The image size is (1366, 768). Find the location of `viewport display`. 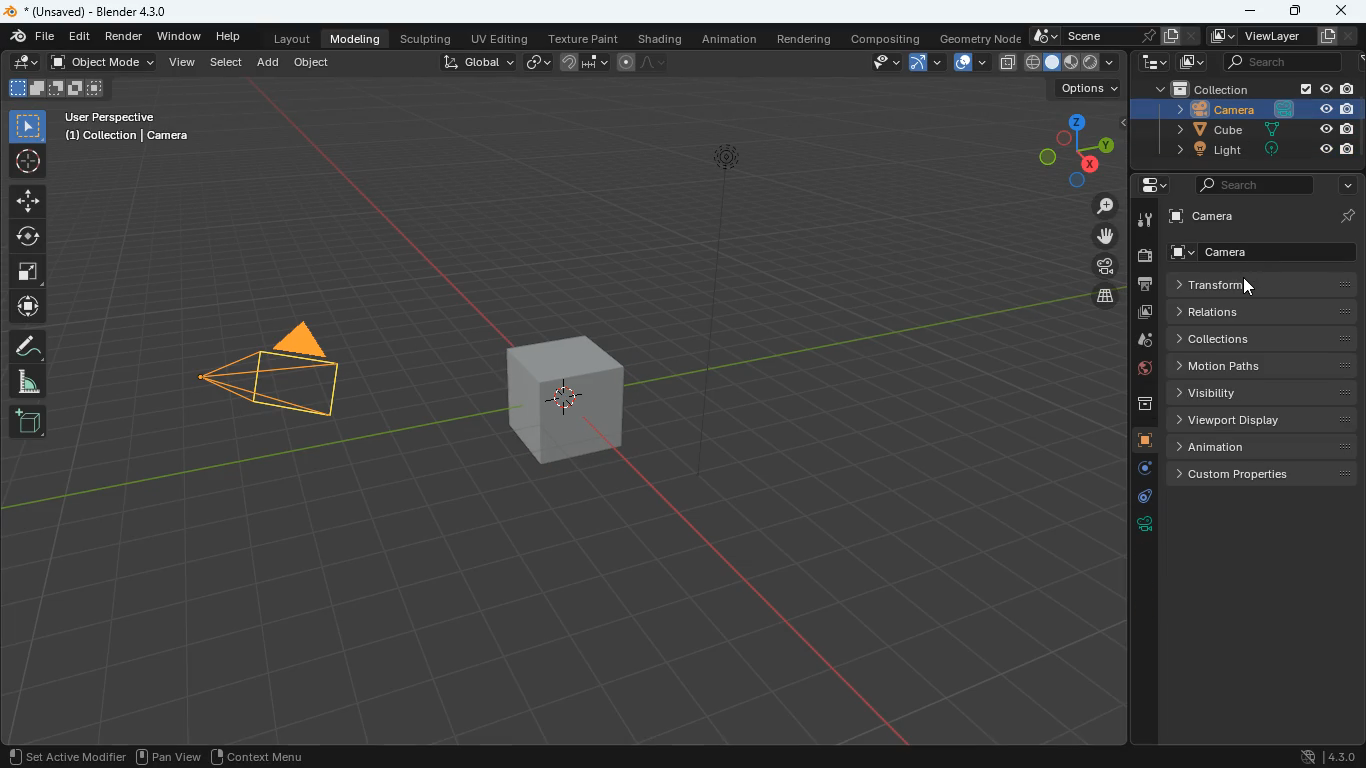

viewport display is located at coordinates (1262, 420).